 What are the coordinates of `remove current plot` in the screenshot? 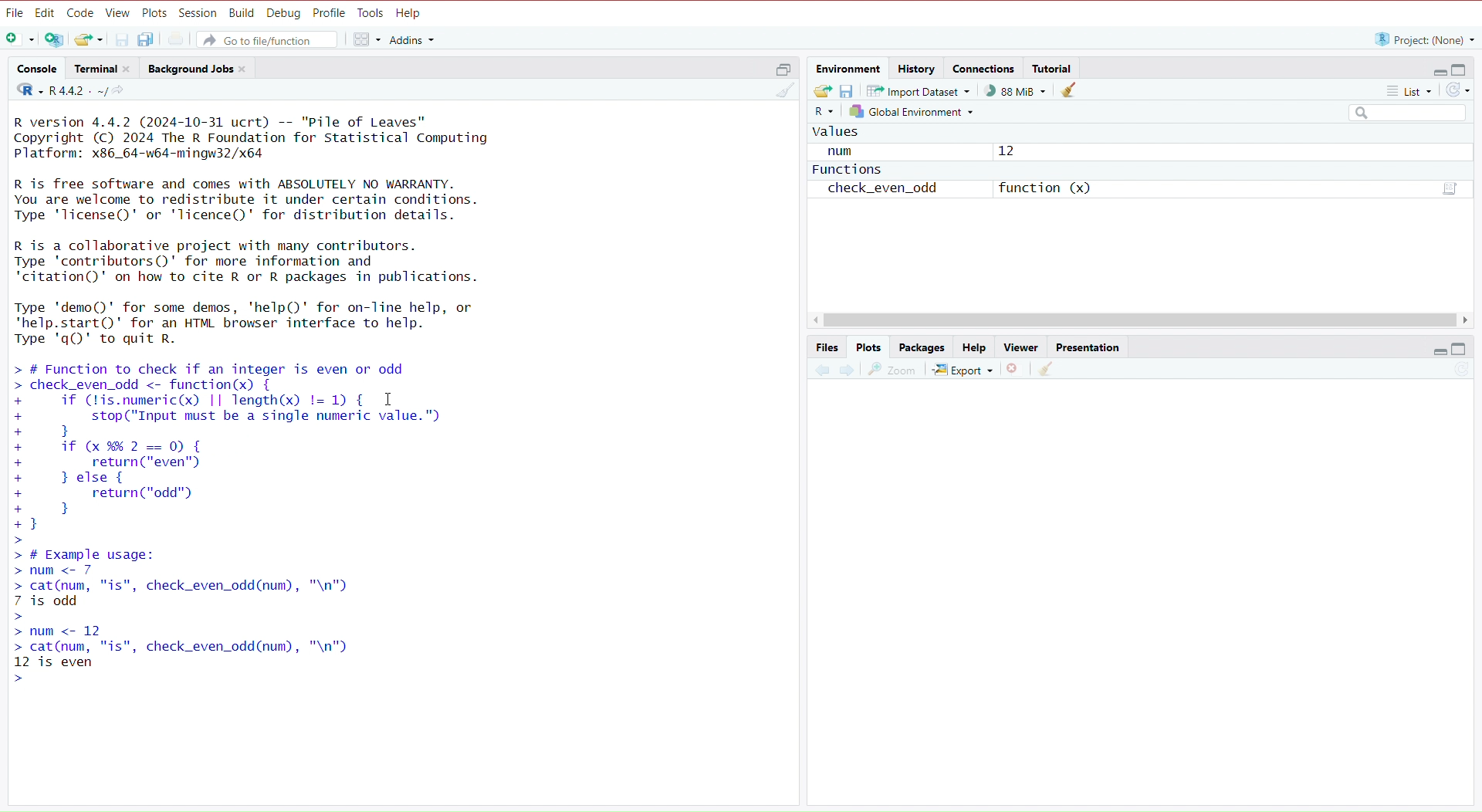 It's located at (1013, 371).